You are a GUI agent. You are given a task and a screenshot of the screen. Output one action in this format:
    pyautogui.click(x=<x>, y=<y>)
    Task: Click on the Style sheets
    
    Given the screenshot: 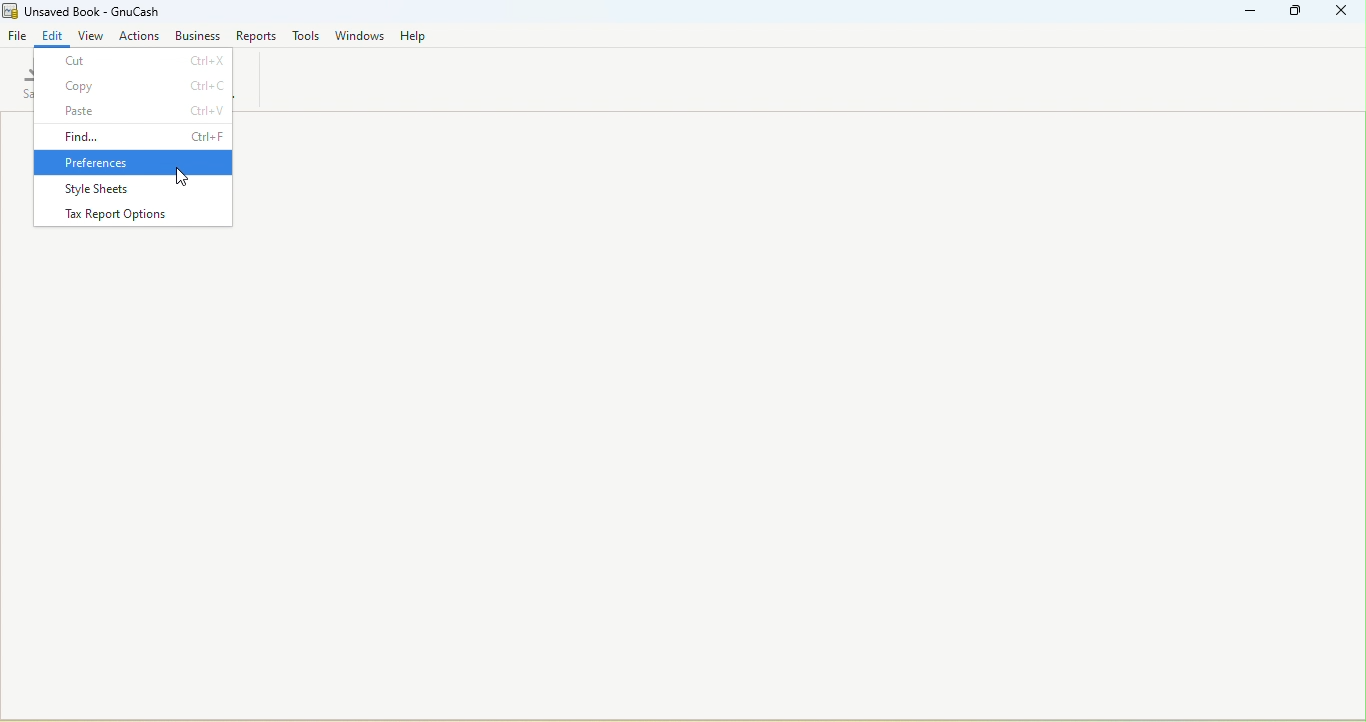 What is the action you would take?
    pyautogui.click(x=133, y=189)
    